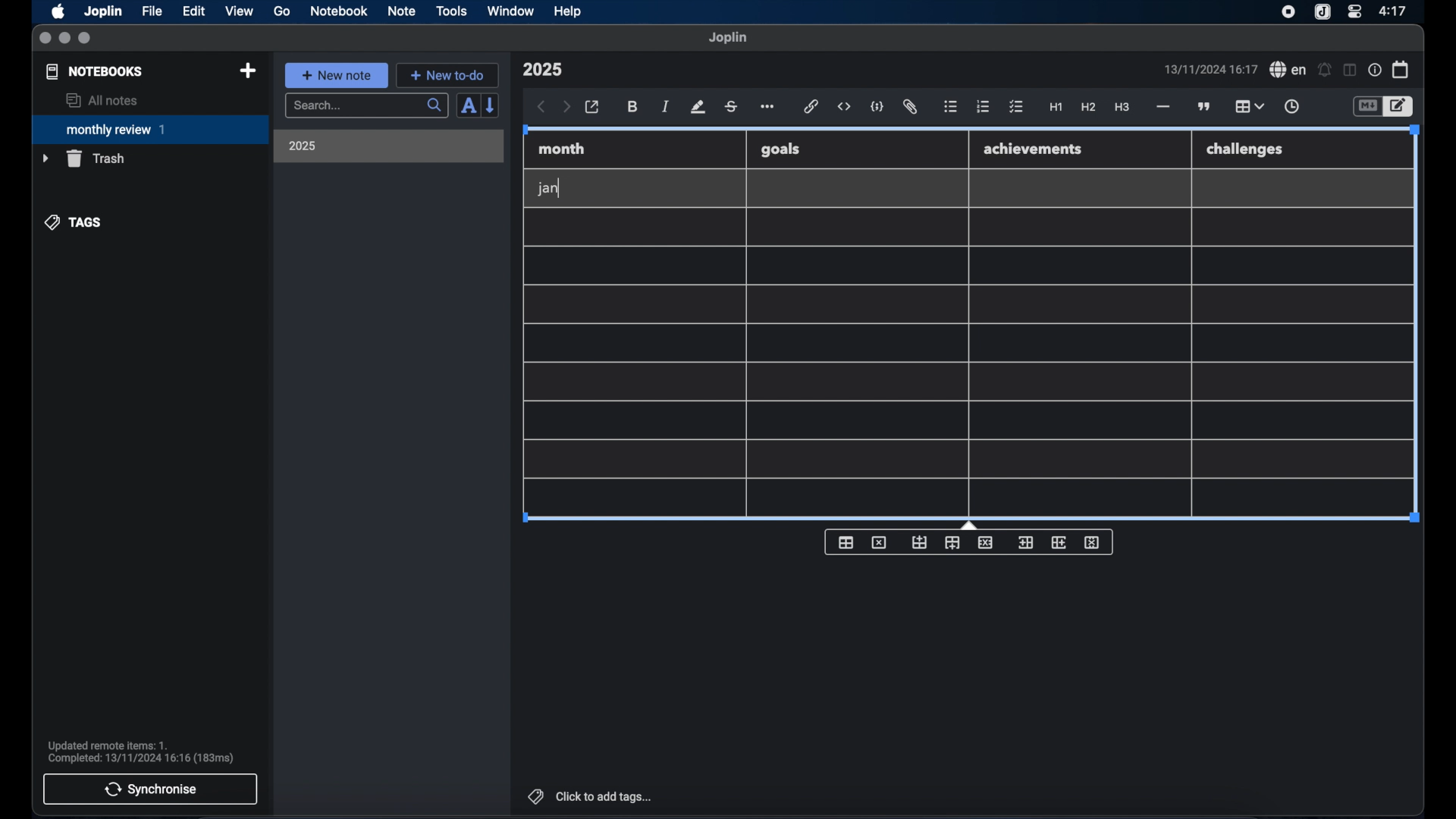 The height and width of the screenshot is (819, 1456). I want to click on apple icon, so click(57, 11).